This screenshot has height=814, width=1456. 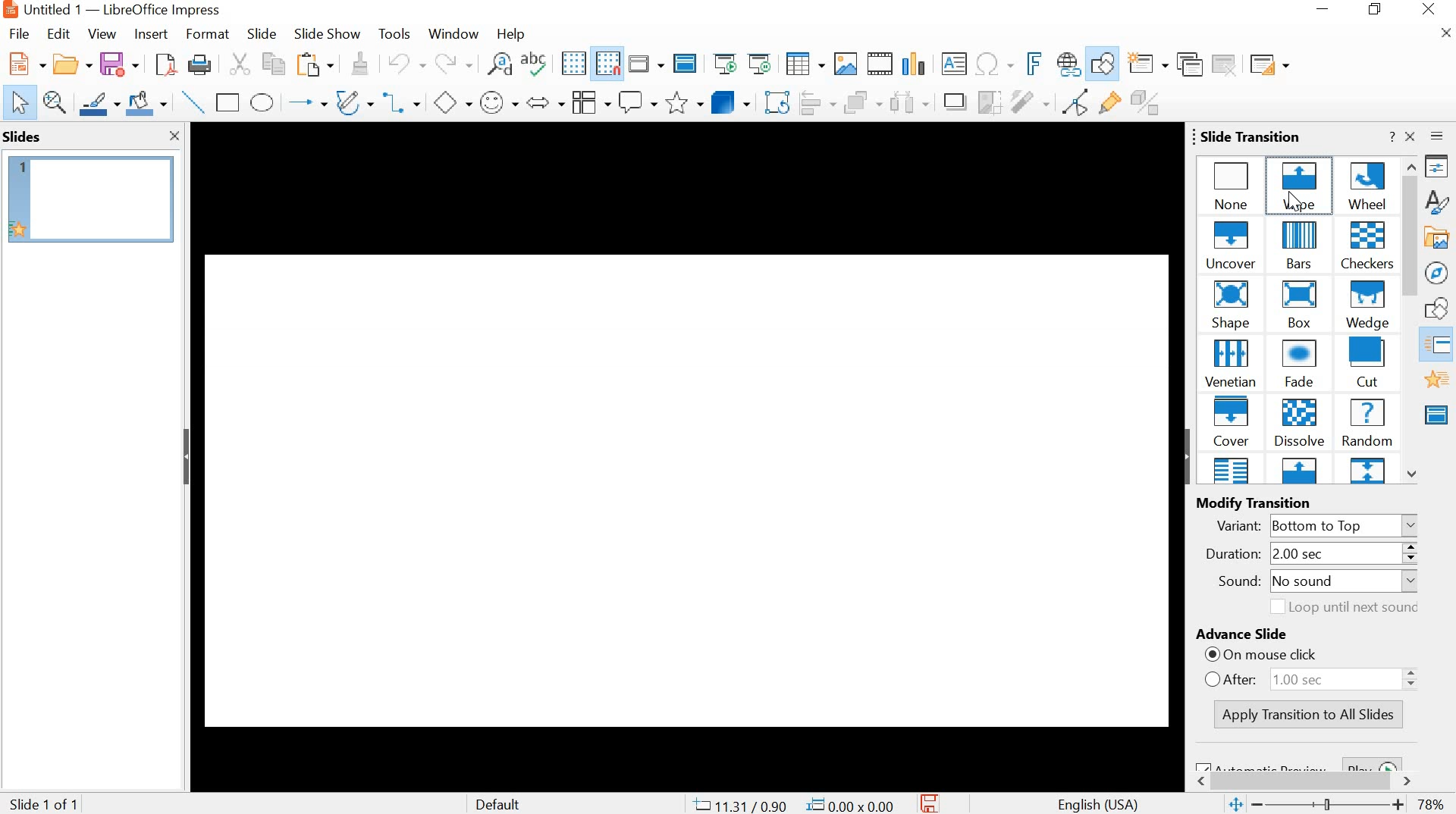 I want to click on Snap to grid, so click(x=606, y=64).